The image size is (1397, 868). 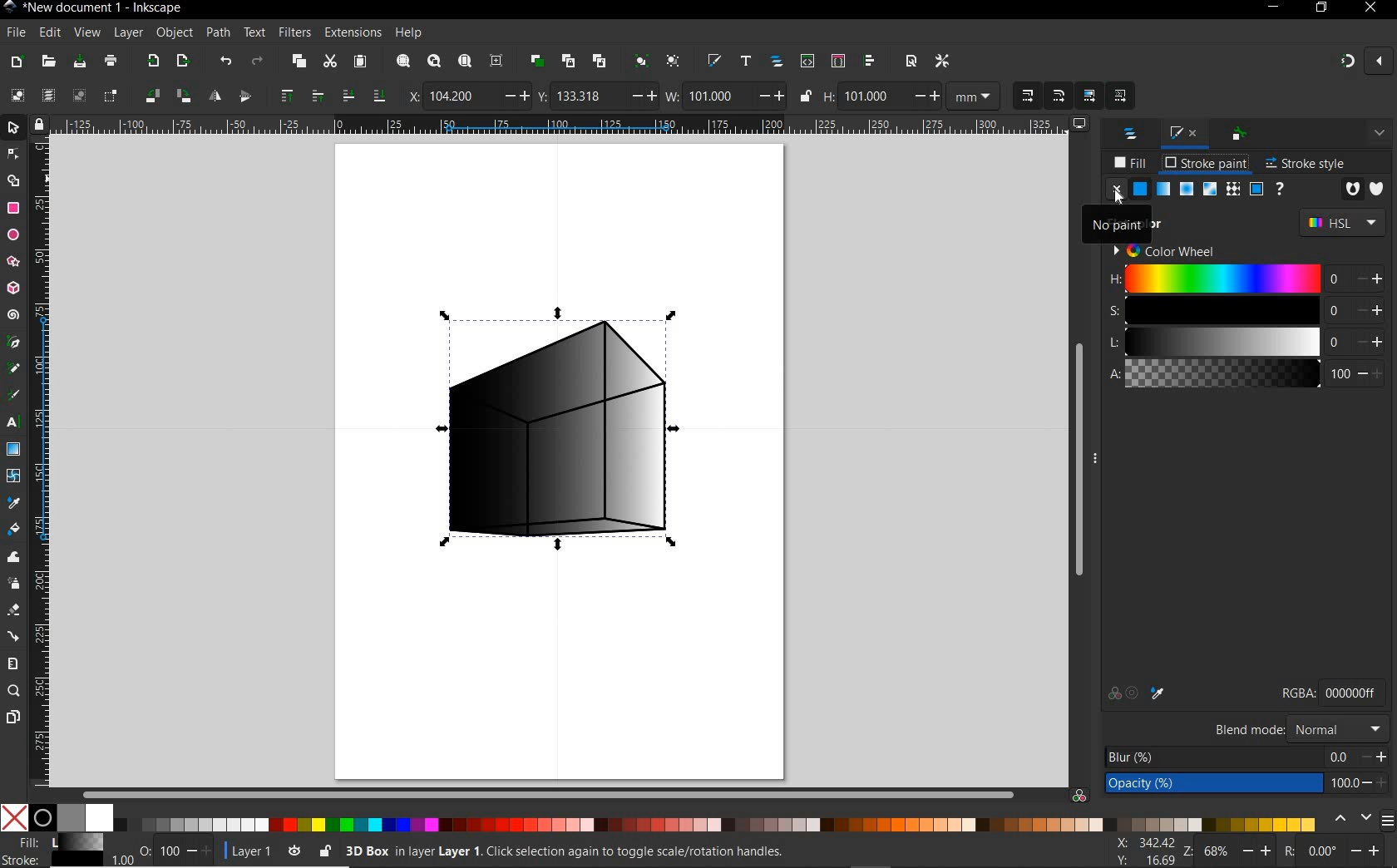 I want to click on SCALING, so click(x=1059, y=96).